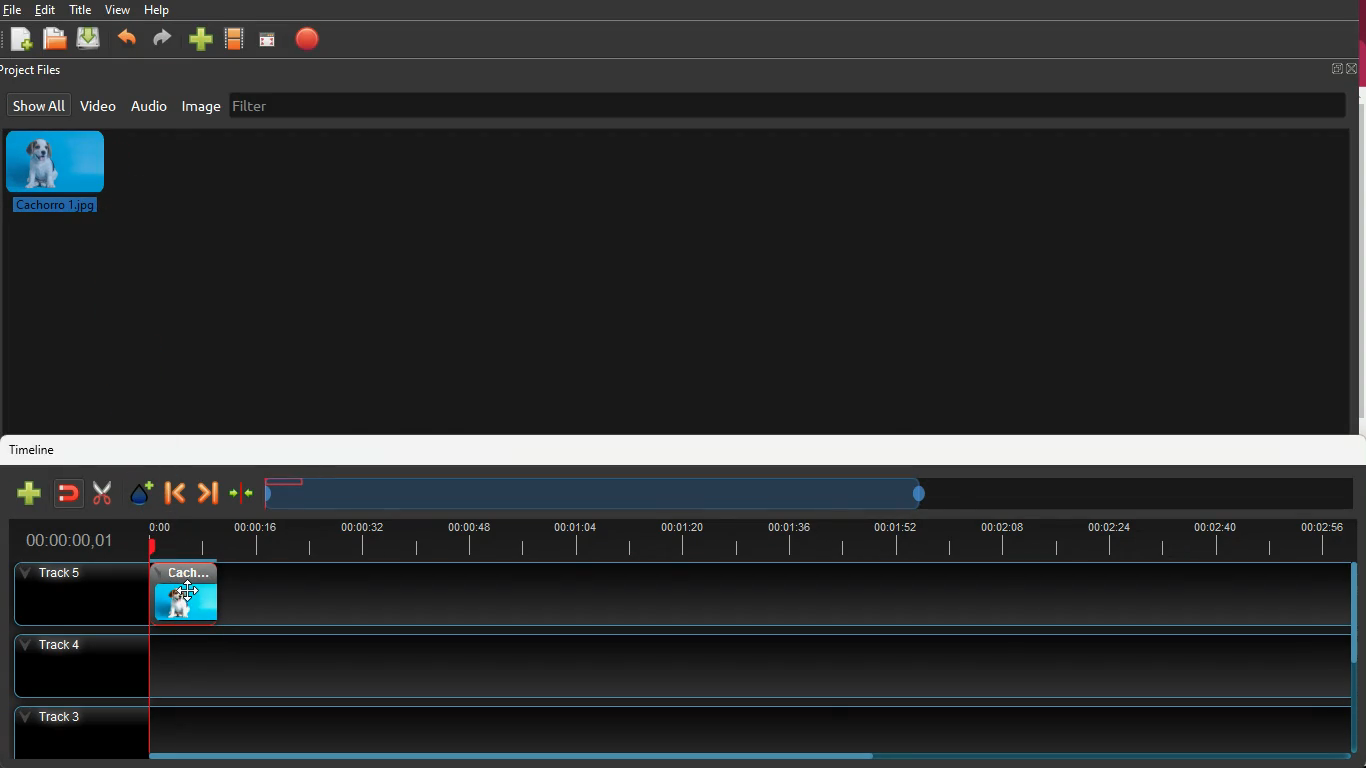  What do you see at coordinates (235, 38) in the screenshot?
I see `movie` at bounding box center [235, 38].